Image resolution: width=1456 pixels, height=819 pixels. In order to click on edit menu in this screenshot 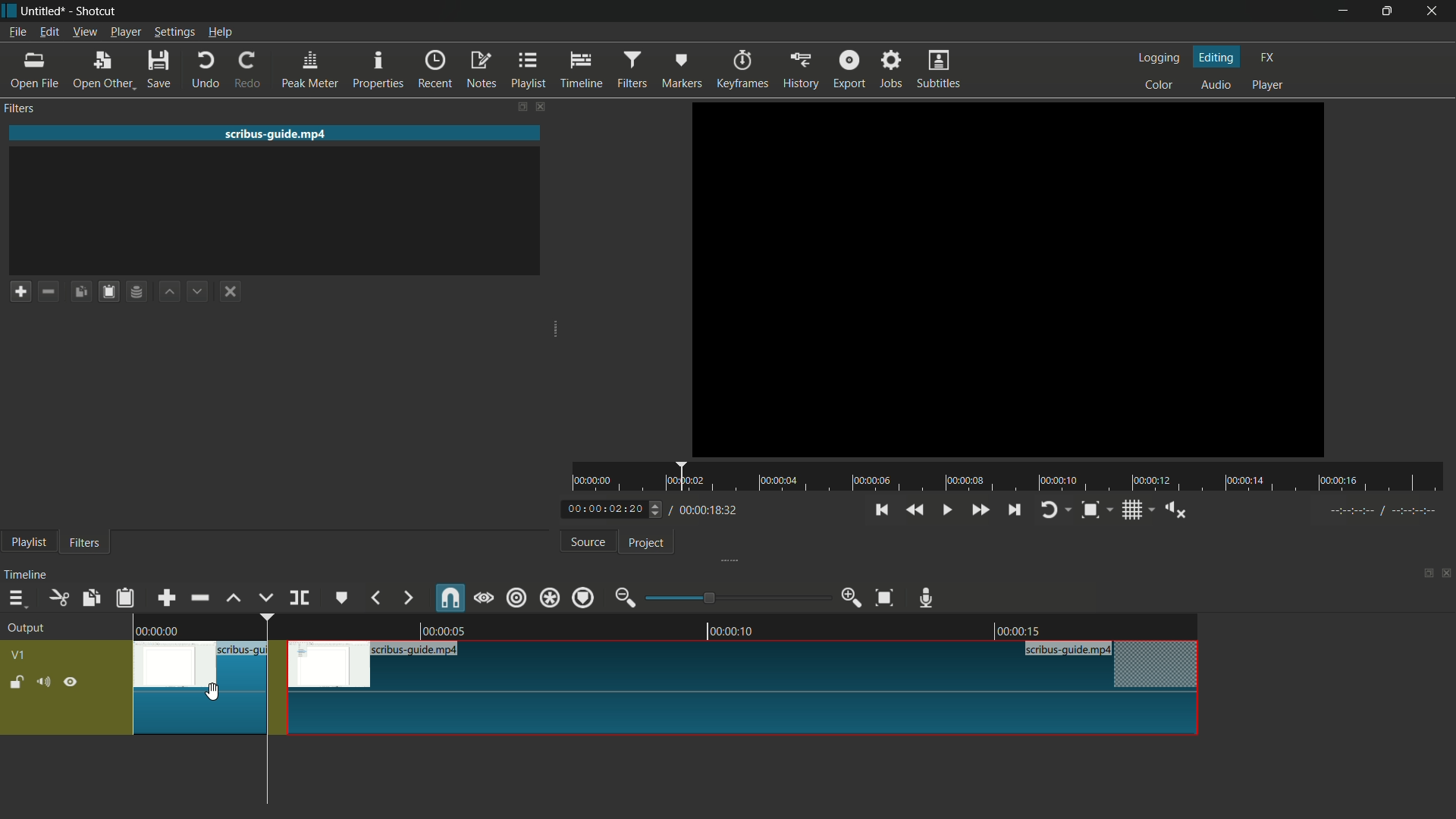, I will do `click(49, 32)`.